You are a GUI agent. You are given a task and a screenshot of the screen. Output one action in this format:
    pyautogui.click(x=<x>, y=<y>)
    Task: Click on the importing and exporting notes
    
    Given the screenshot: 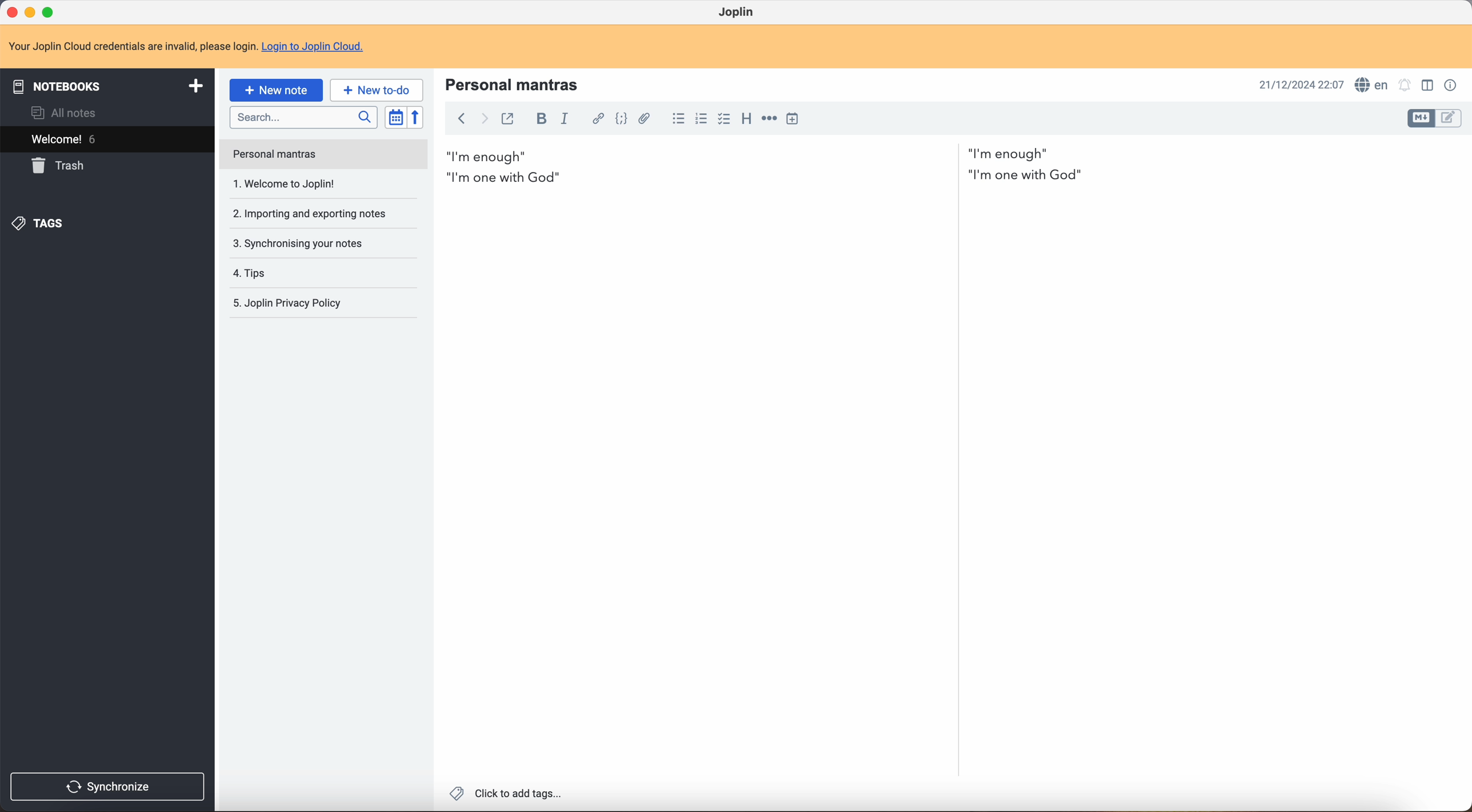 What is the action you would take?
    pyautogui.click(x=309, y=183)
    